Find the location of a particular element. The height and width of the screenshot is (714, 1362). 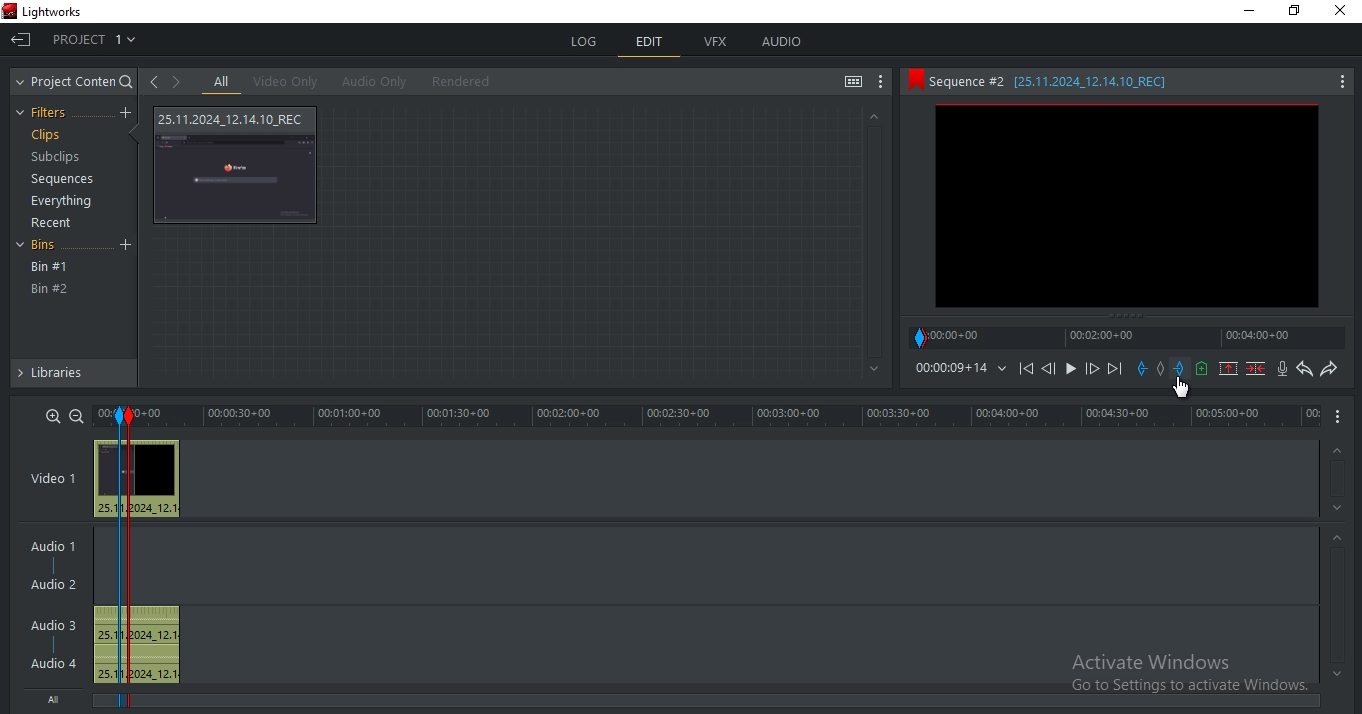

audio is located at coordinates (782, 43).